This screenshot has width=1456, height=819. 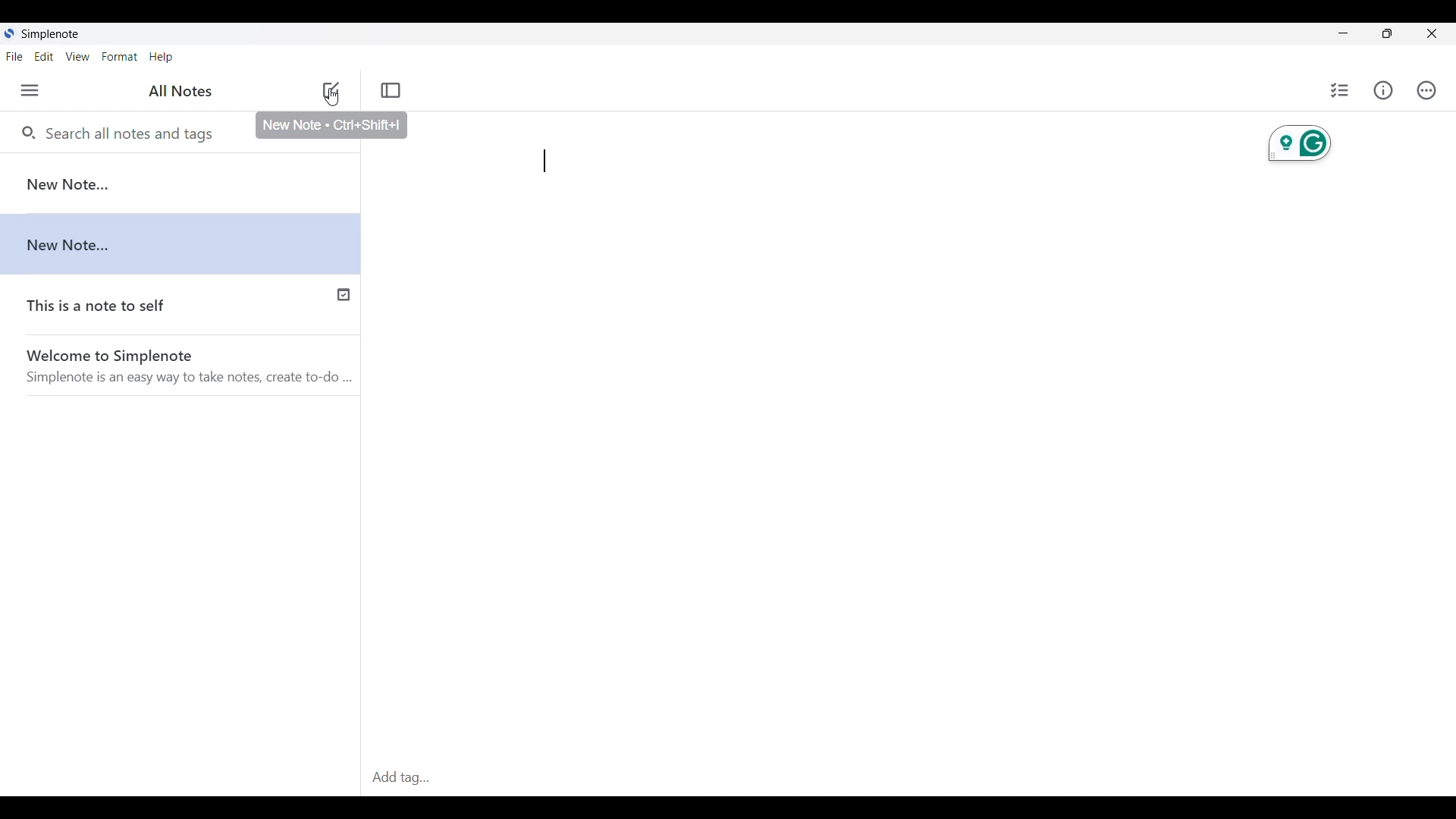 I want to click on Add tag, so click(x=905, y=778).